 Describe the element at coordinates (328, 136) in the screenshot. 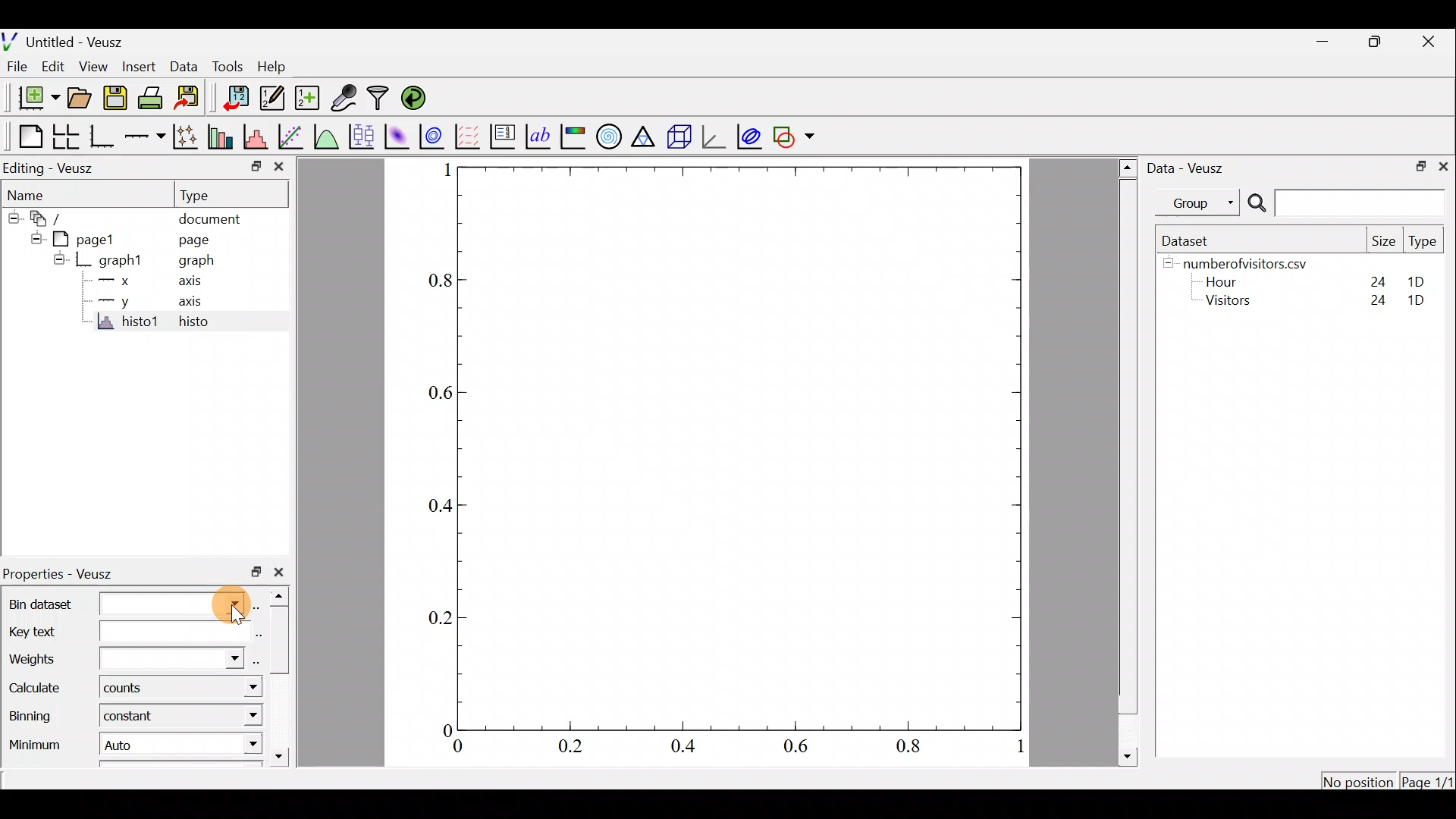

I see `plot a function` at that location.